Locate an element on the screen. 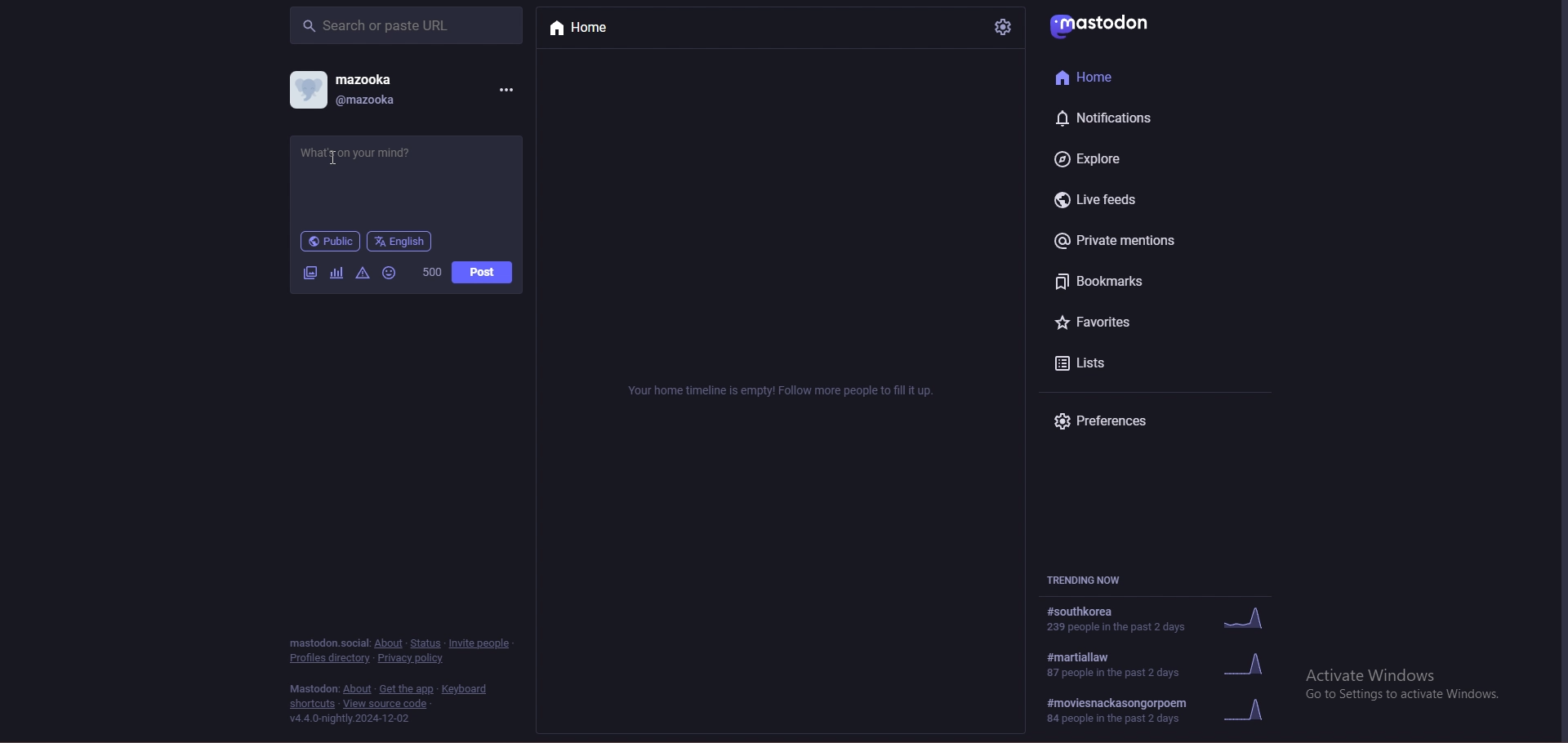  mastodon is located at coordinates (1107, 23).